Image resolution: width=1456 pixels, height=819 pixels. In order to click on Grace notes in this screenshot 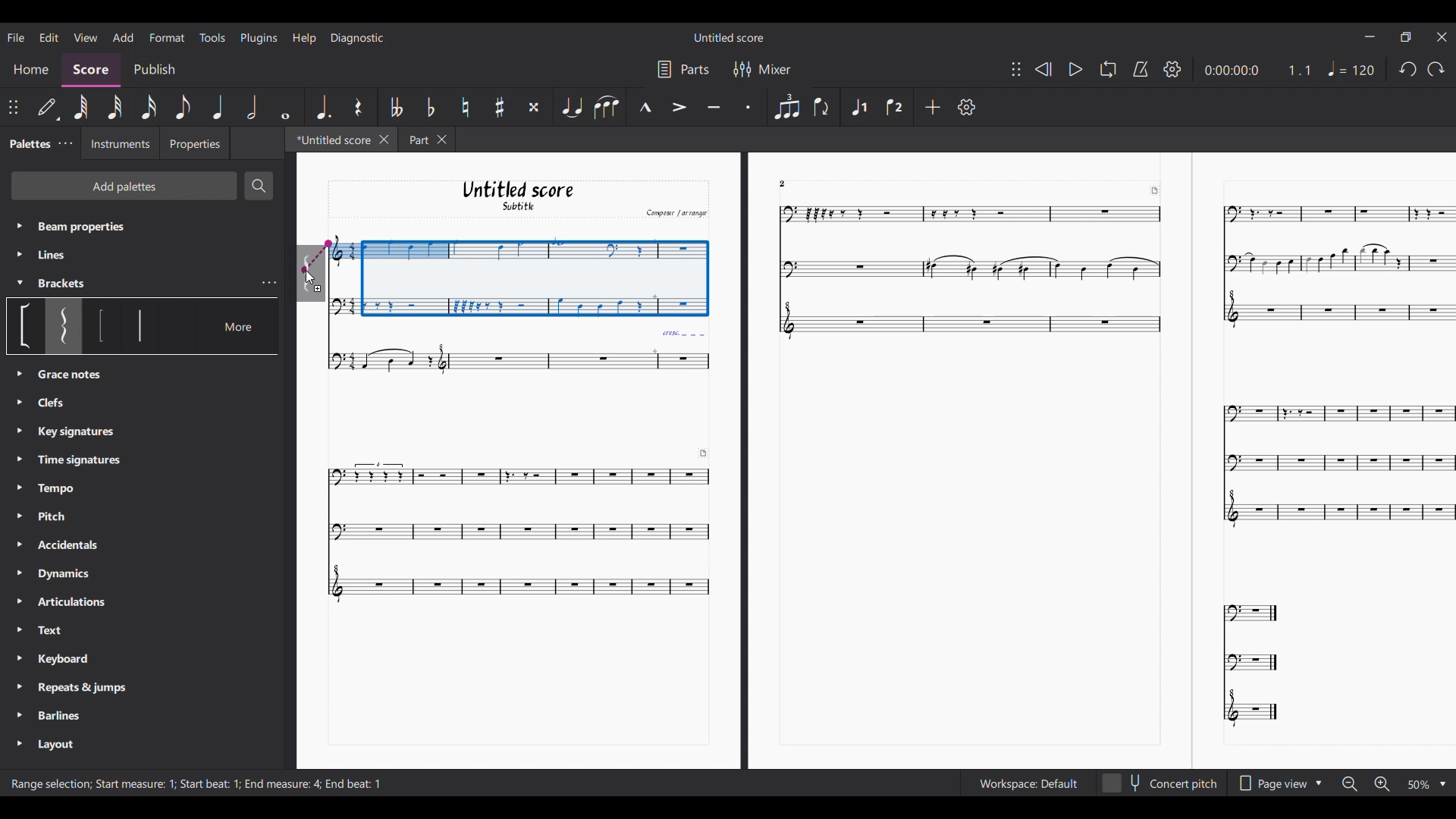, I will do `click(57, 403)`.